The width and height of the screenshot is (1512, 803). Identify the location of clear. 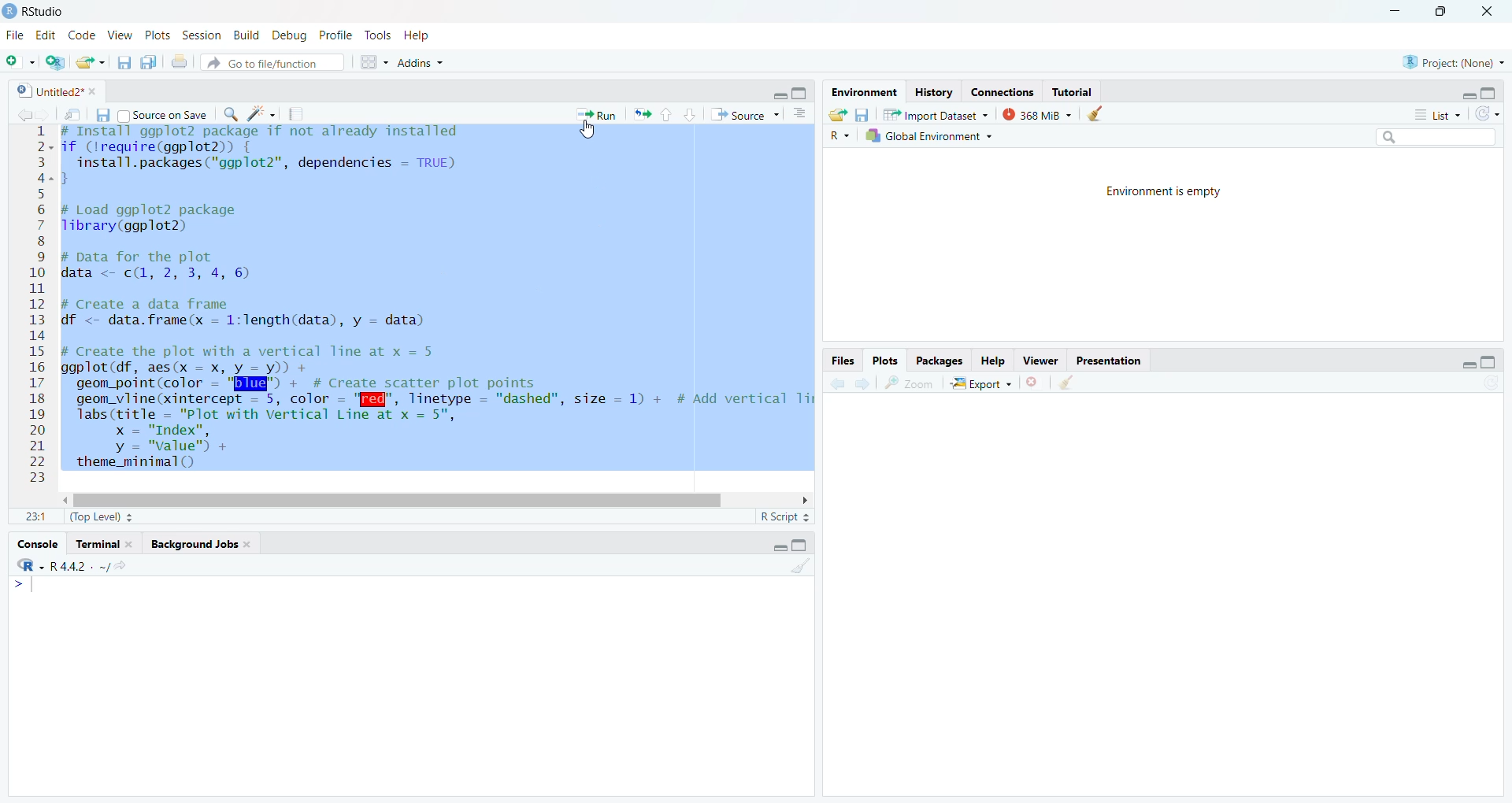
(797, 566).